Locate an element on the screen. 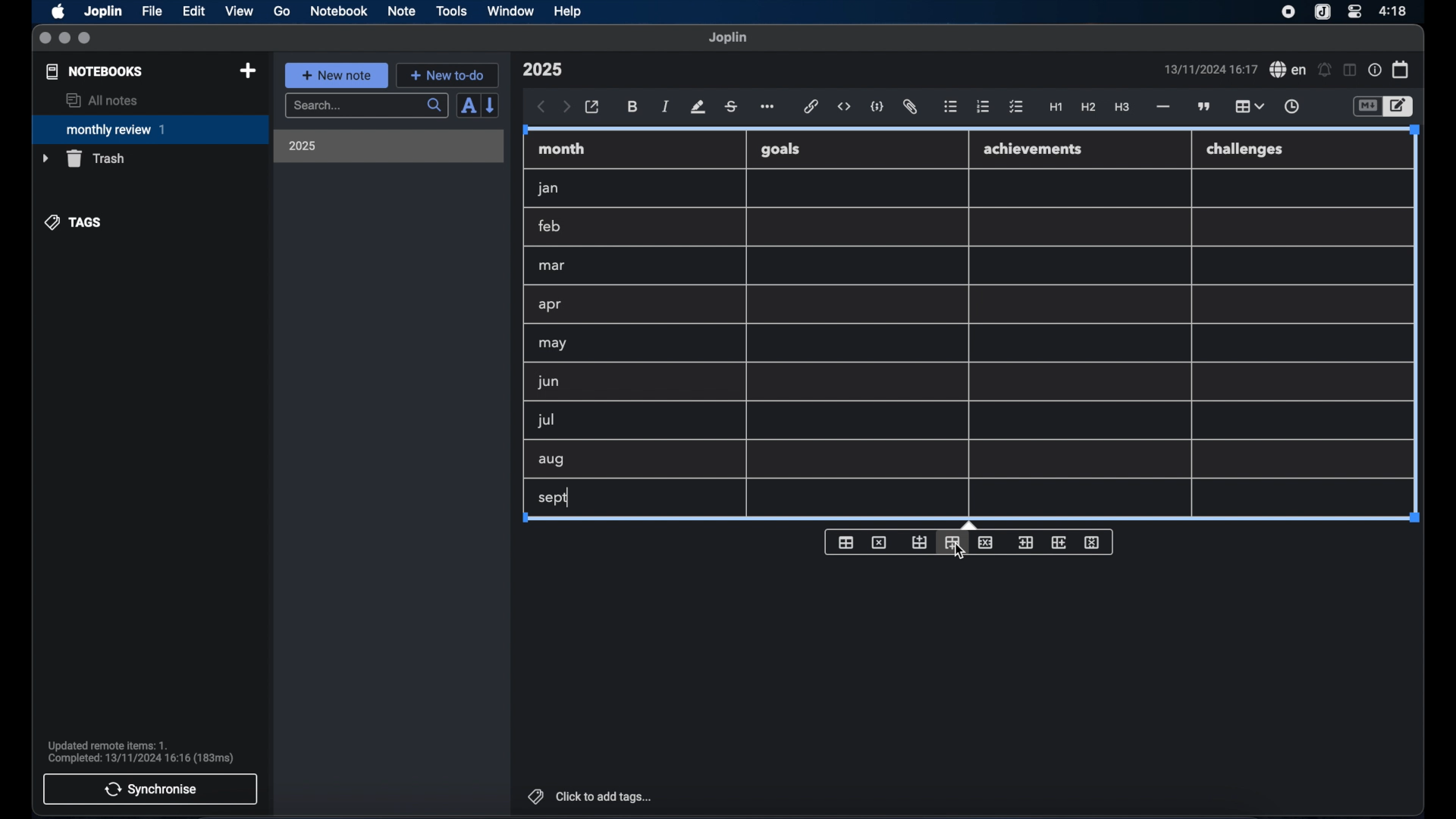 This screenshot has height=819, width=1456. 2025 is located at coordinates (303, 146).